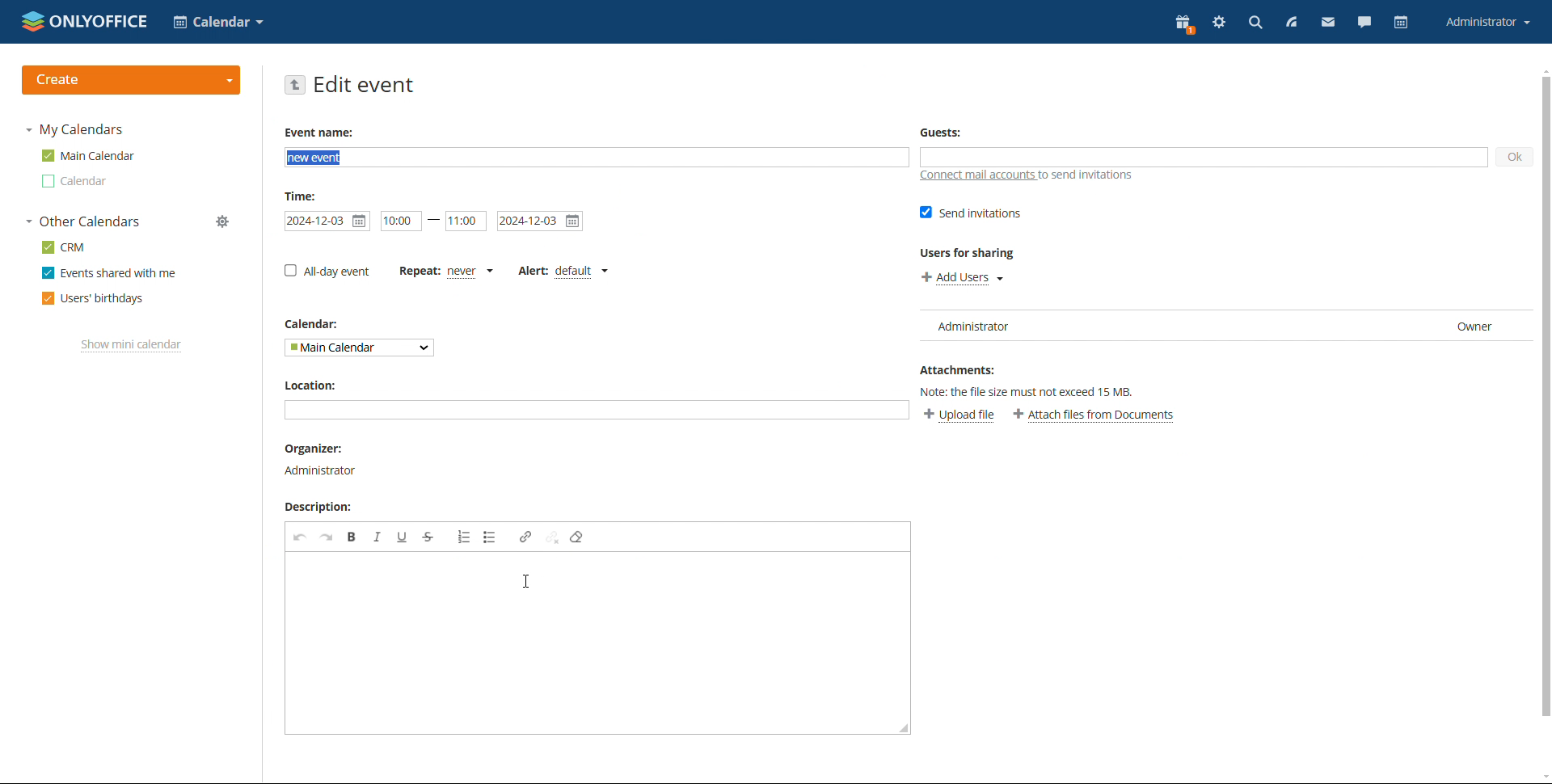 The width and height of the screenshot is (1552, 784). I want to click on insert/remove bulleted list, so click(465, 537).